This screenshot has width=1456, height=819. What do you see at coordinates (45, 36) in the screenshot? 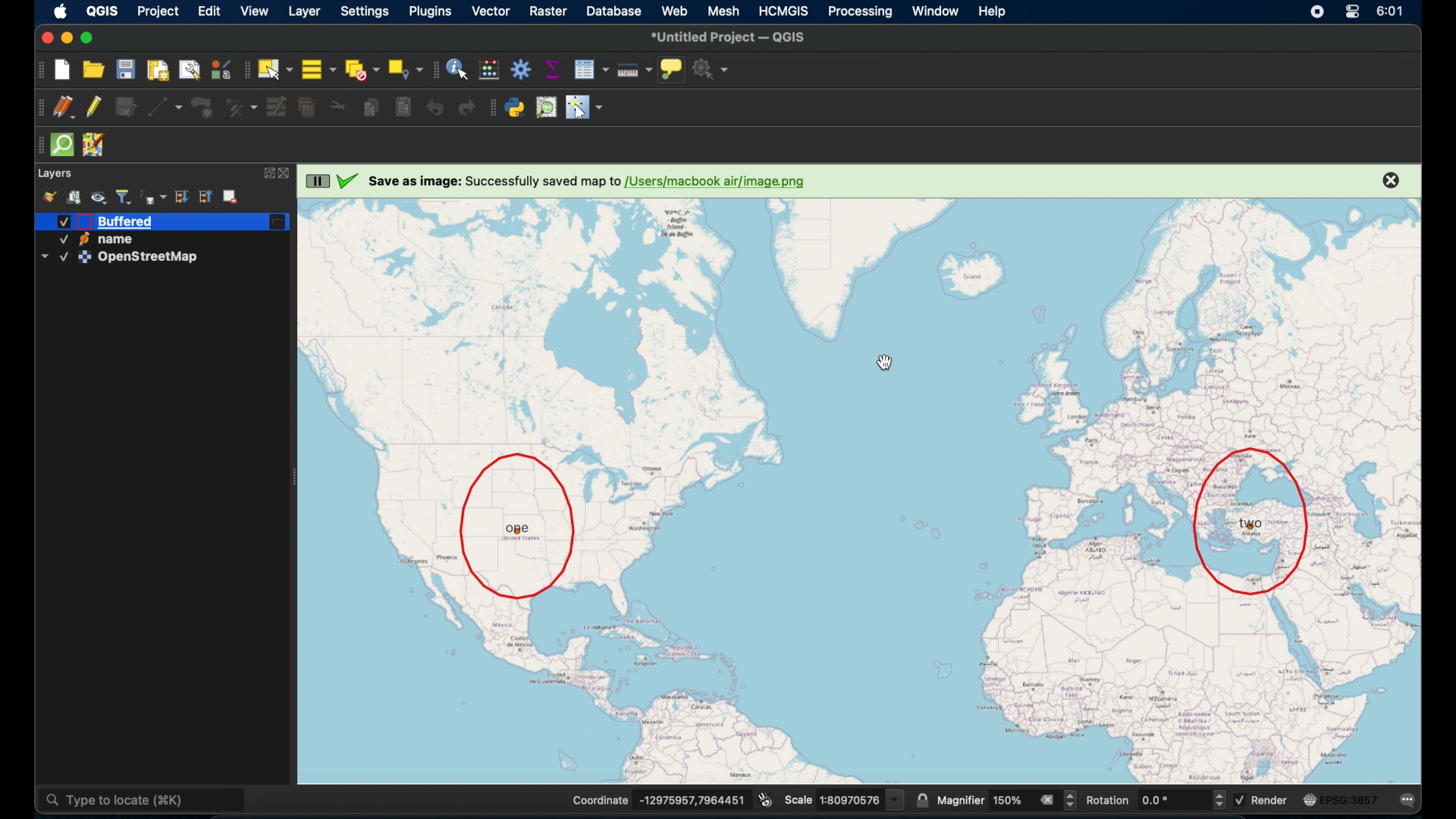
I see `close` at bounding box center [45, 36].